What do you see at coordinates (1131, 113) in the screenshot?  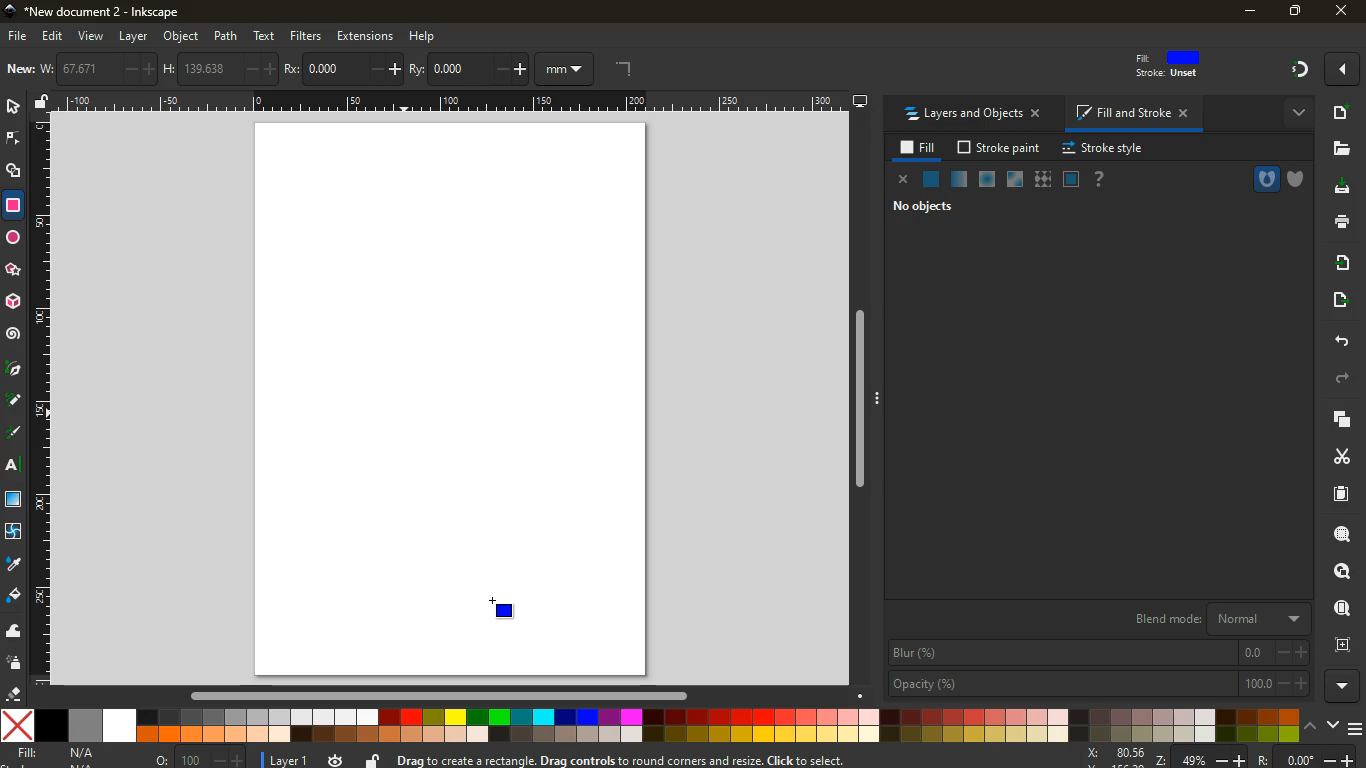 I see `fill and stroke` at bounding box center [1131, 113].